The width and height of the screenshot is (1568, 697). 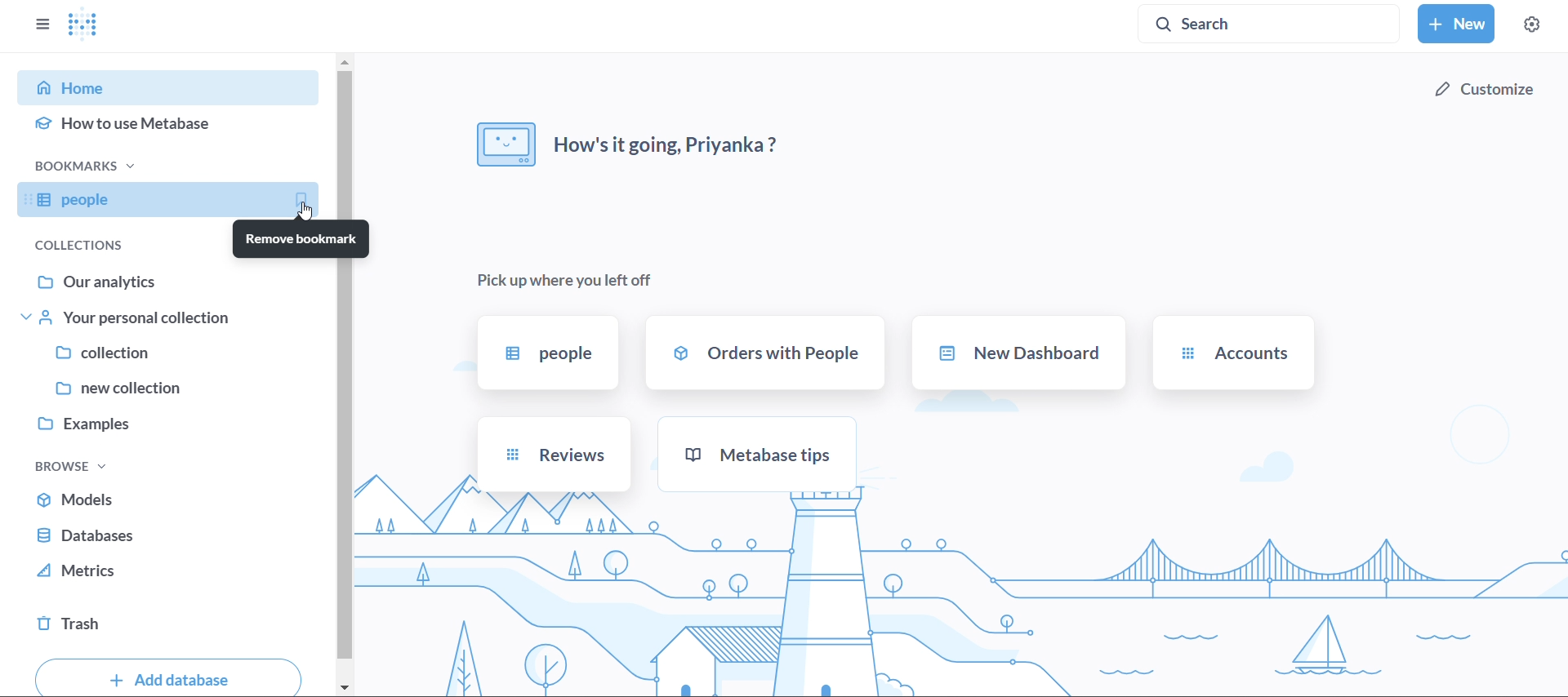 What do you see at coordinates (1021, 353) in the screenshot?
I see `new dashboard` at bounding box center [1021, 353].